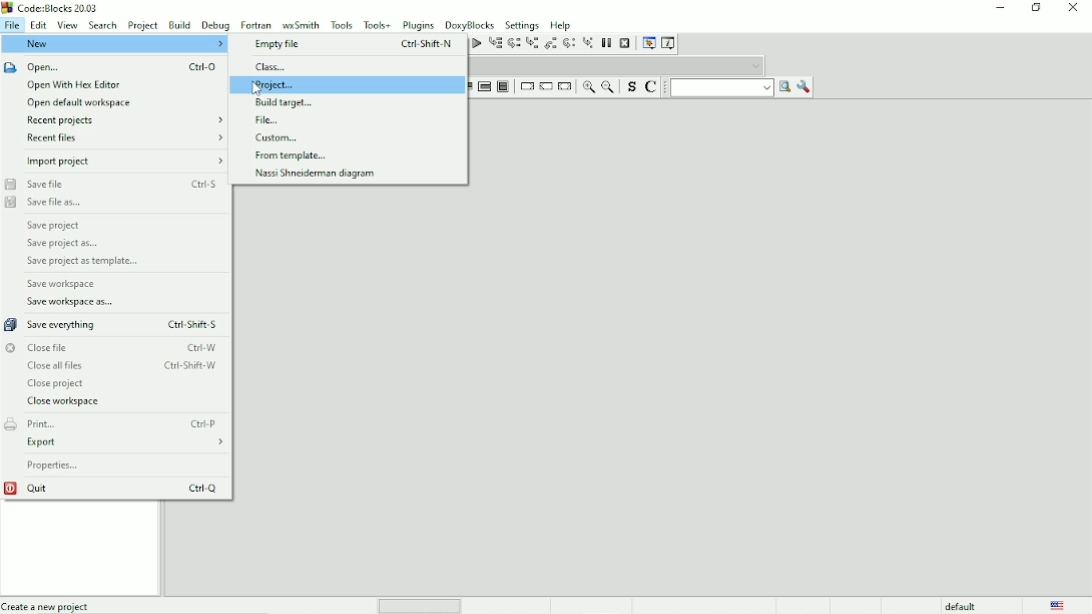  Describe the element at coordinates (1000, 8) in the screenshot. I see `Minimize` at that location.